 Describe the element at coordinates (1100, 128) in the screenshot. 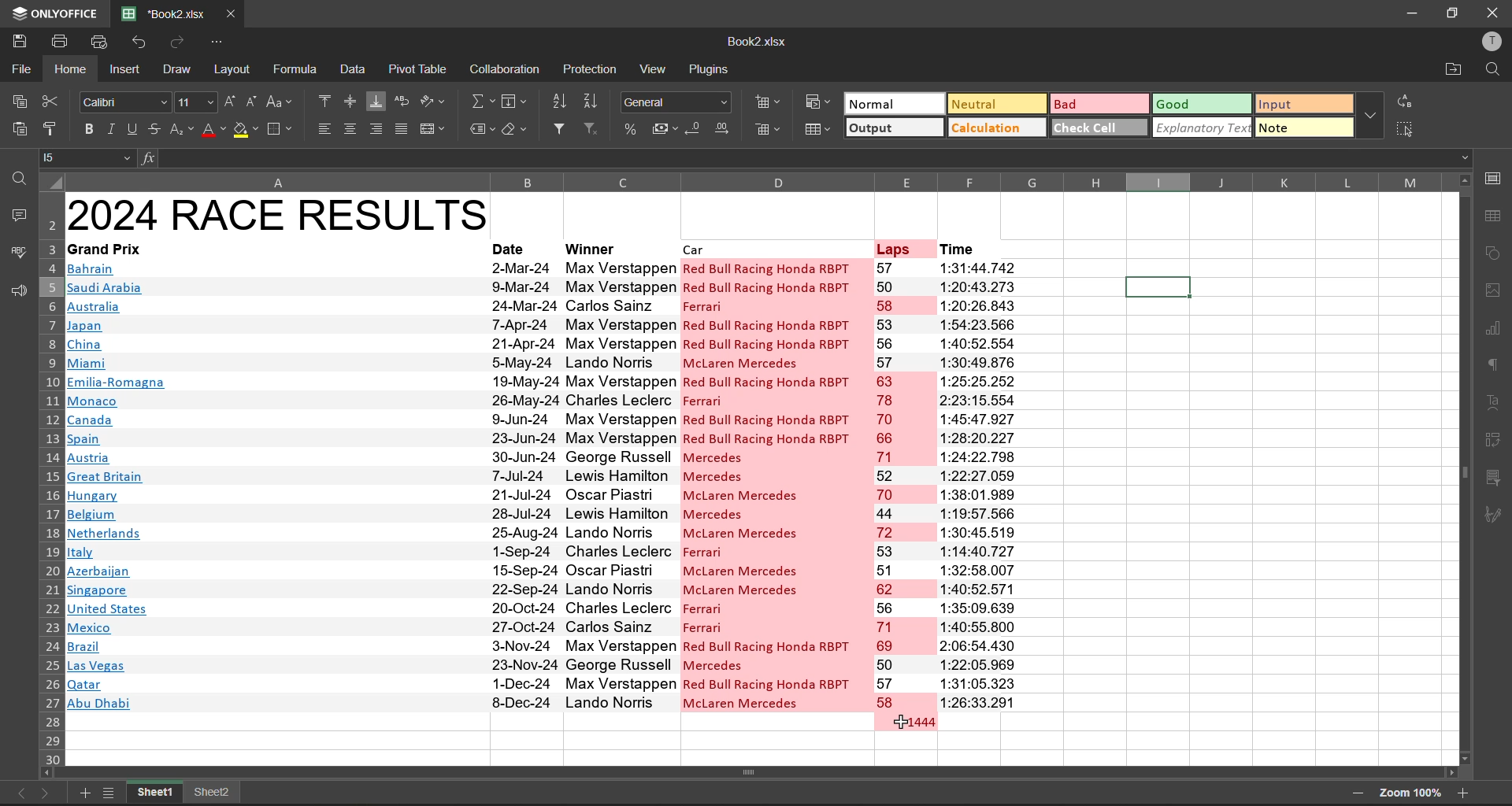

I see `check cell` at that location.